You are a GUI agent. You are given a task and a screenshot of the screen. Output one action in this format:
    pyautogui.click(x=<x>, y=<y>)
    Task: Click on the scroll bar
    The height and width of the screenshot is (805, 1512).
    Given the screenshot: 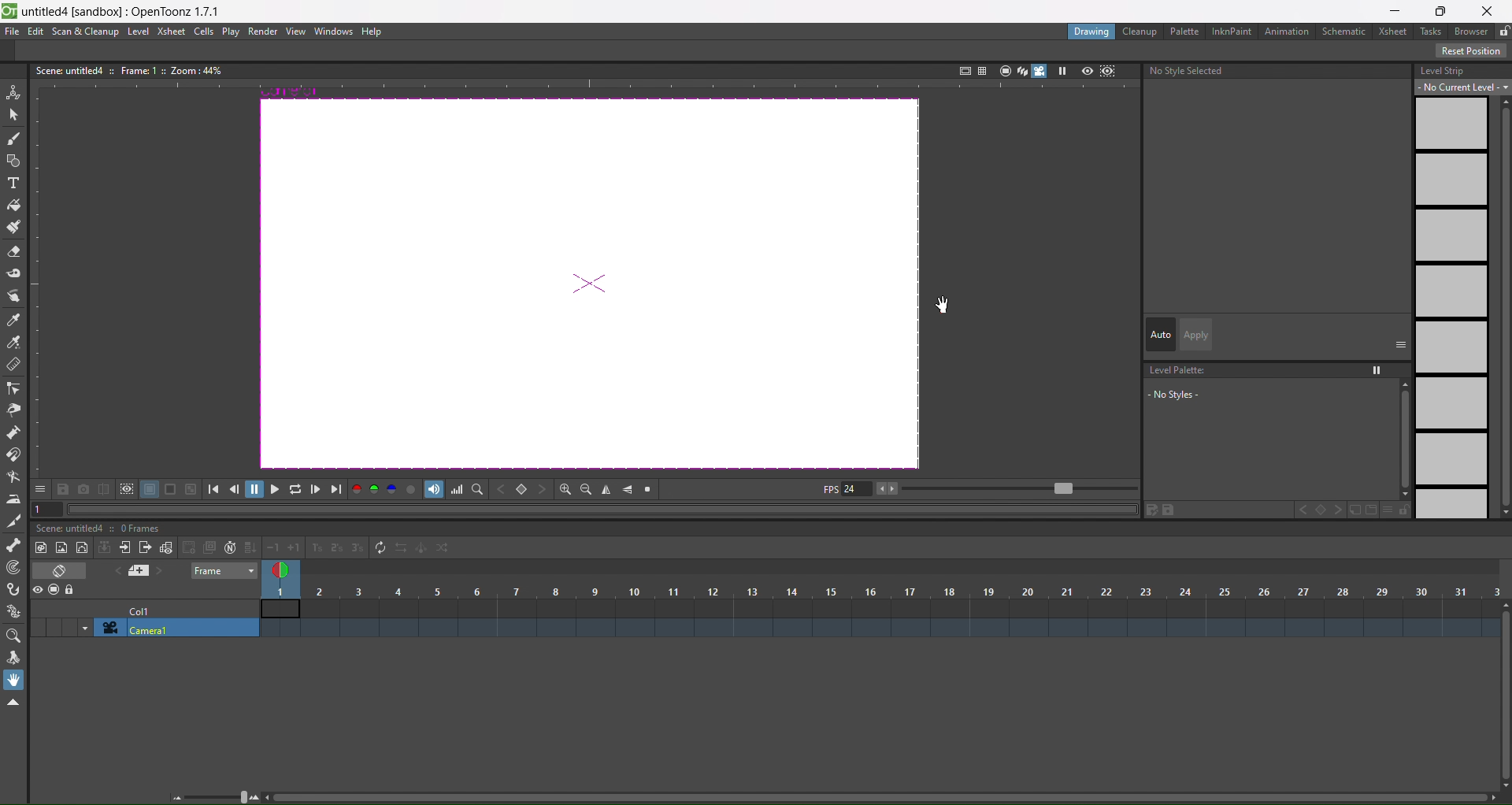 What is the action you would take?
    pyautogui.click(x=876, y=799)
    